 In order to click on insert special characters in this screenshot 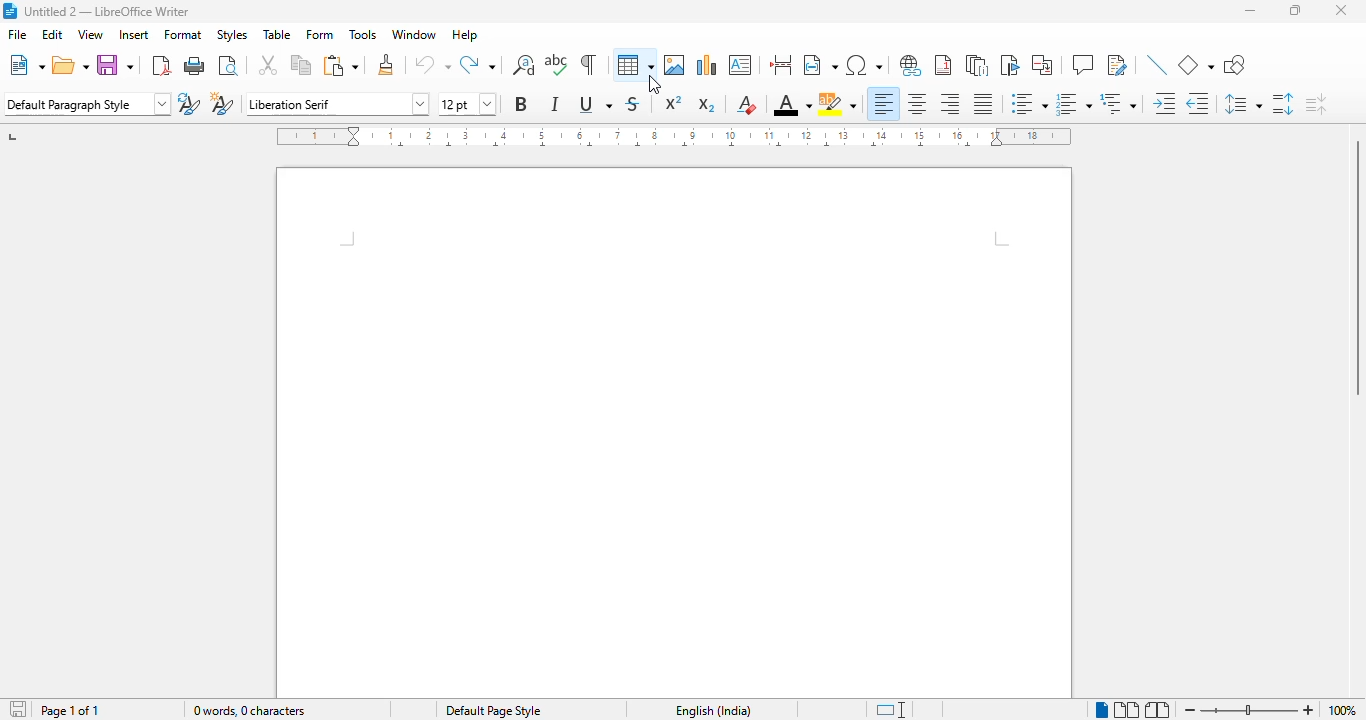, I will do `click(863, 65)`.